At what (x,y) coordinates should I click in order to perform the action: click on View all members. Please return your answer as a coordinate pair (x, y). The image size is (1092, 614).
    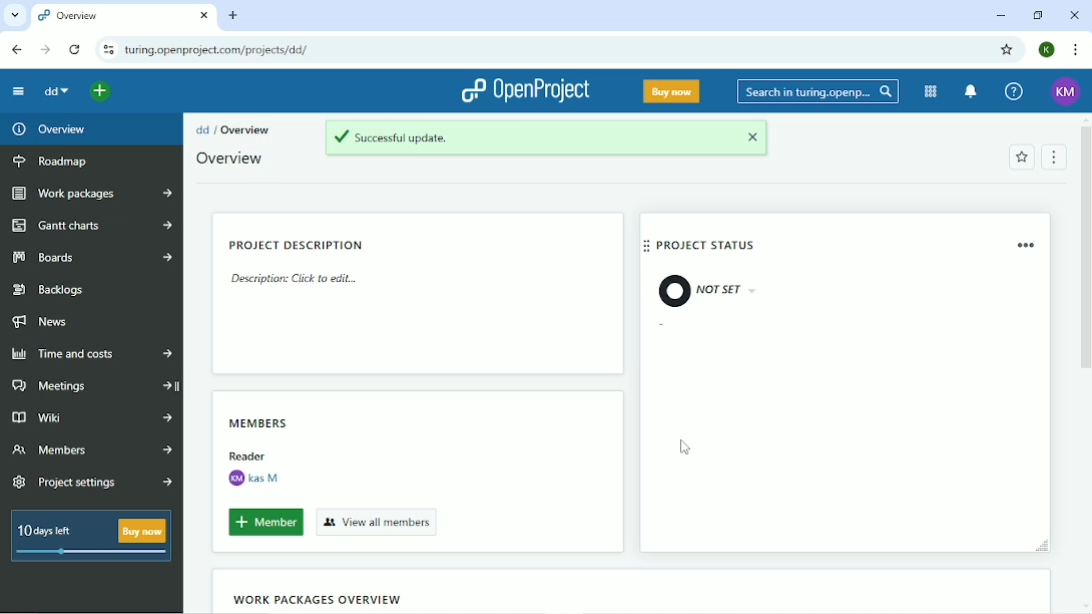
    Looking at the image, I should click on (379, 522).